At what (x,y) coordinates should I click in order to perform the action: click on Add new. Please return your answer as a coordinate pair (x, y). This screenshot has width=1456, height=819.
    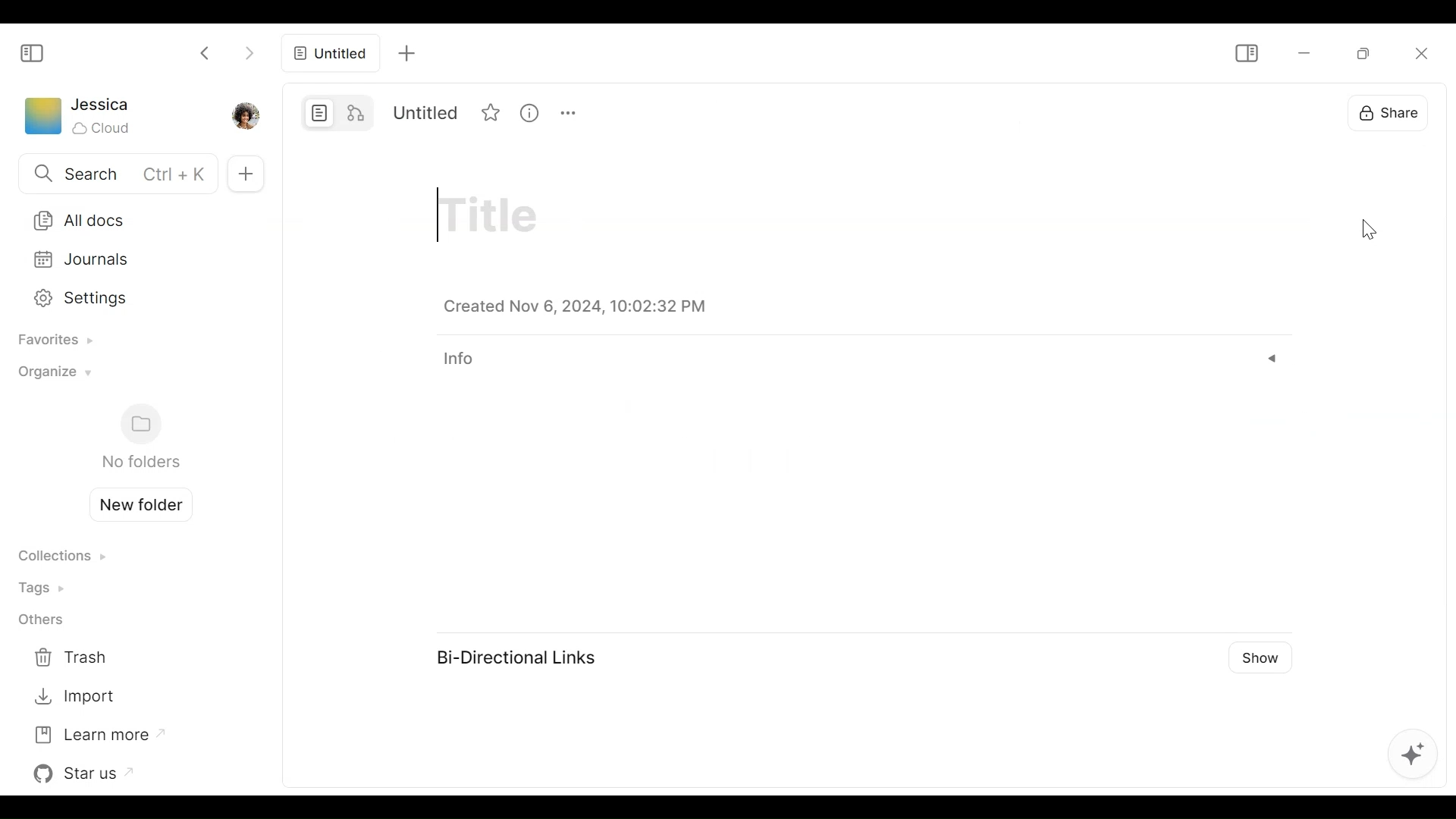
    Looking at the image, I should click on (243, 173).